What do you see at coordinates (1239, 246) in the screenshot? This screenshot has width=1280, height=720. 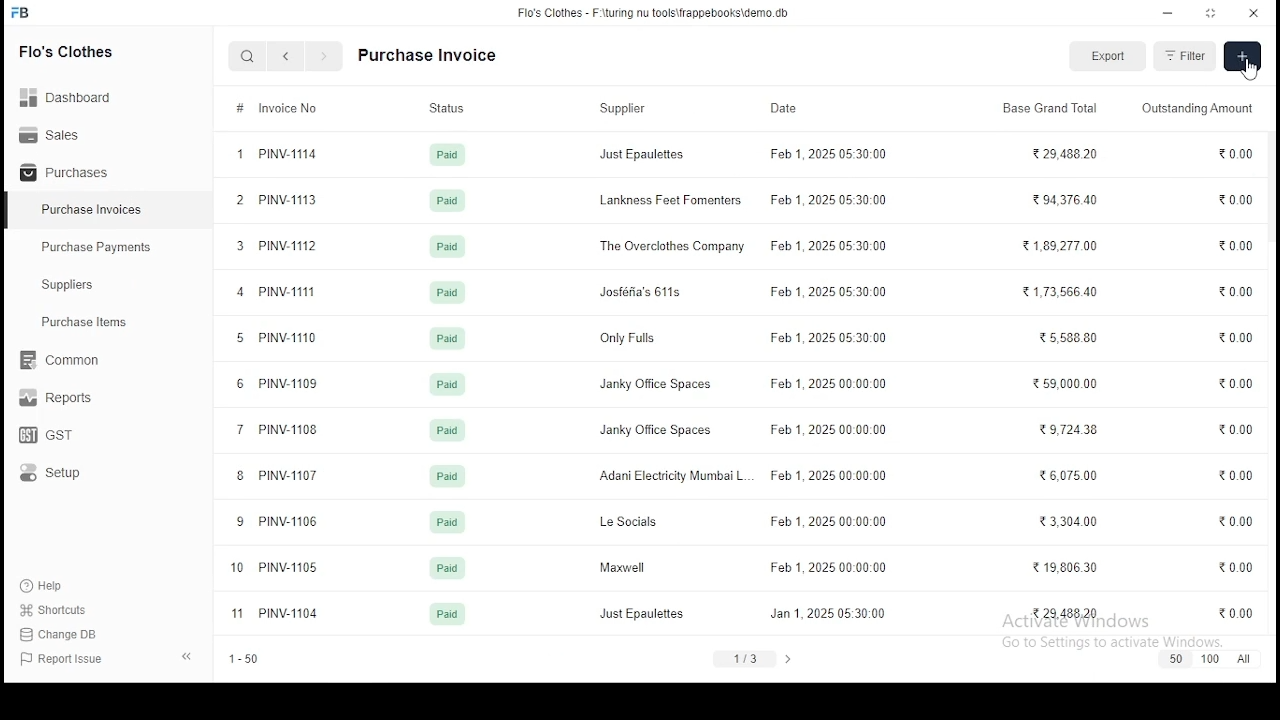 I see `0.00` at bounding box center [1239, 246].